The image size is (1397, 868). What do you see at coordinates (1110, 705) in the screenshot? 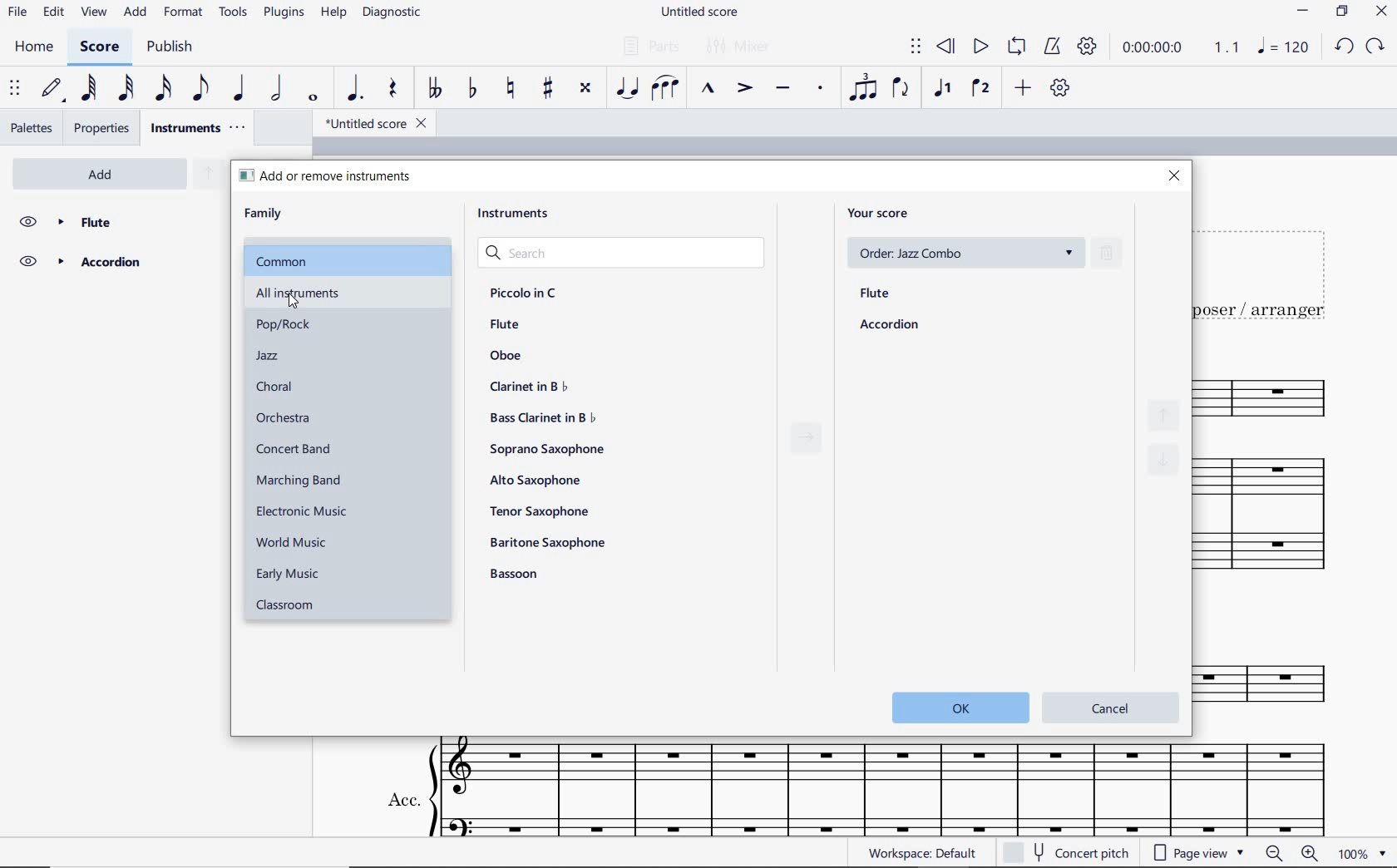
I see `cancel` at bounding box center [1110, 705].